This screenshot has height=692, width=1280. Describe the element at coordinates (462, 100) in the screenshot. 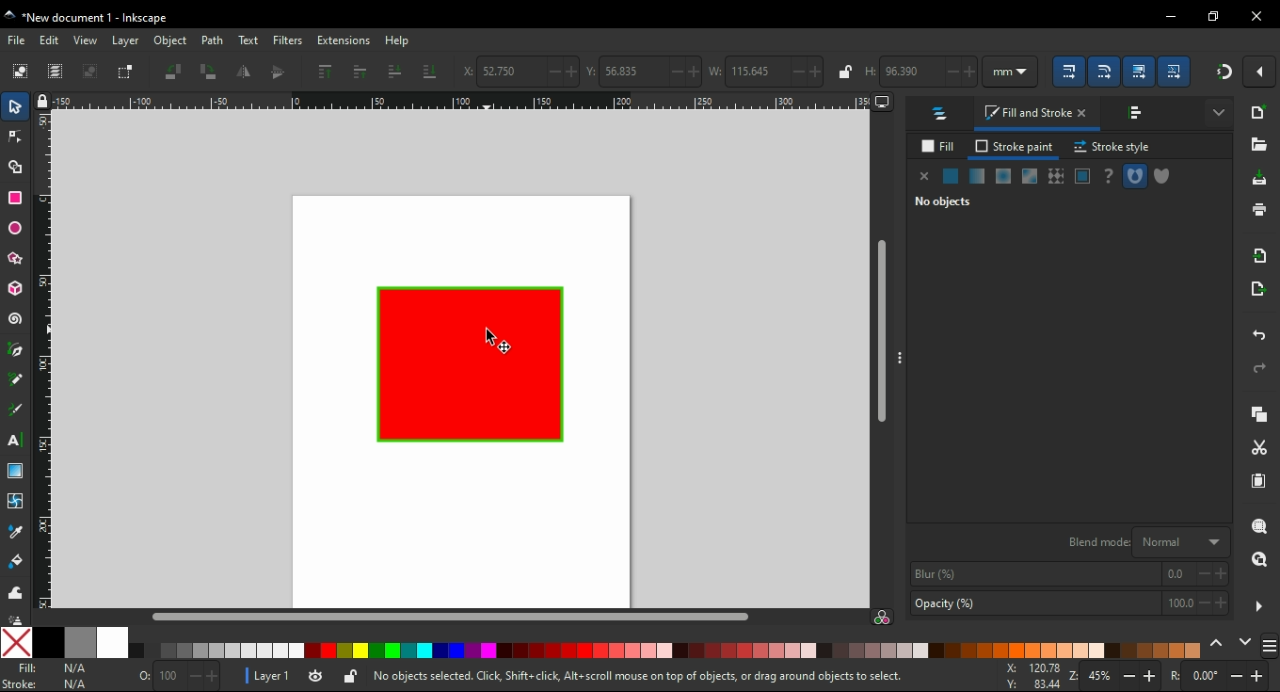

I see `ruler` at that location.